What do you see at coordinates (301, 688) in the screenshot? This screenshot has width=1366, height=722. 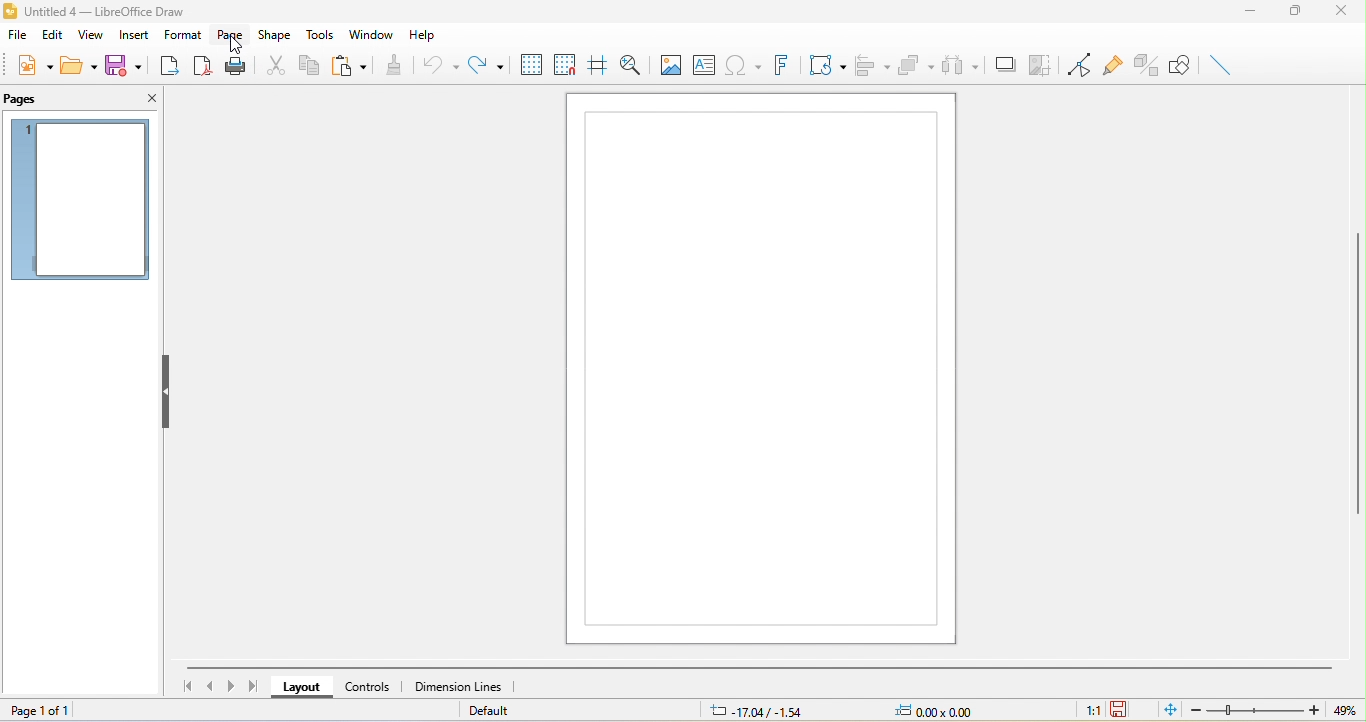 I see `layout` at bounding box center [301, 688].